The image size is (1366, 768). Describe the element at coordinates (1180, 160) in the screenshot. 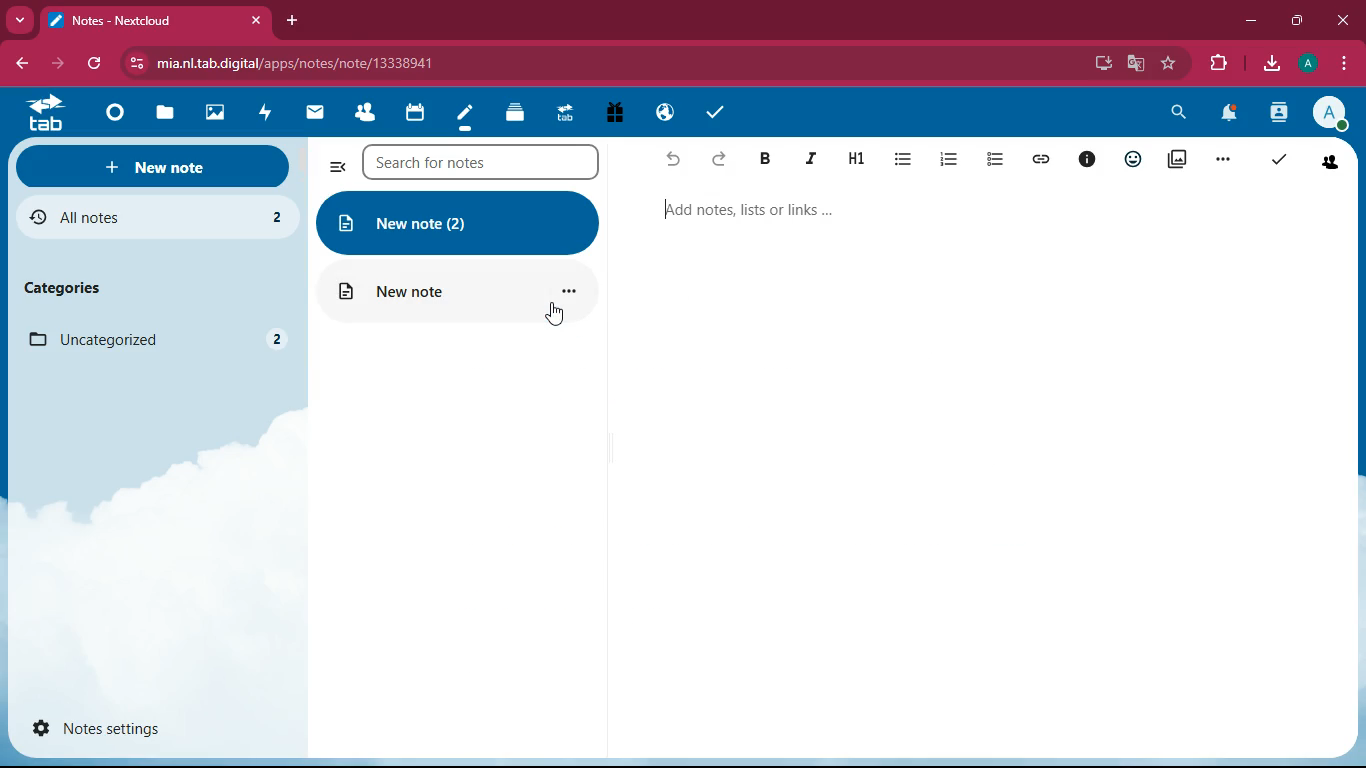

I see `pictures` at that location.